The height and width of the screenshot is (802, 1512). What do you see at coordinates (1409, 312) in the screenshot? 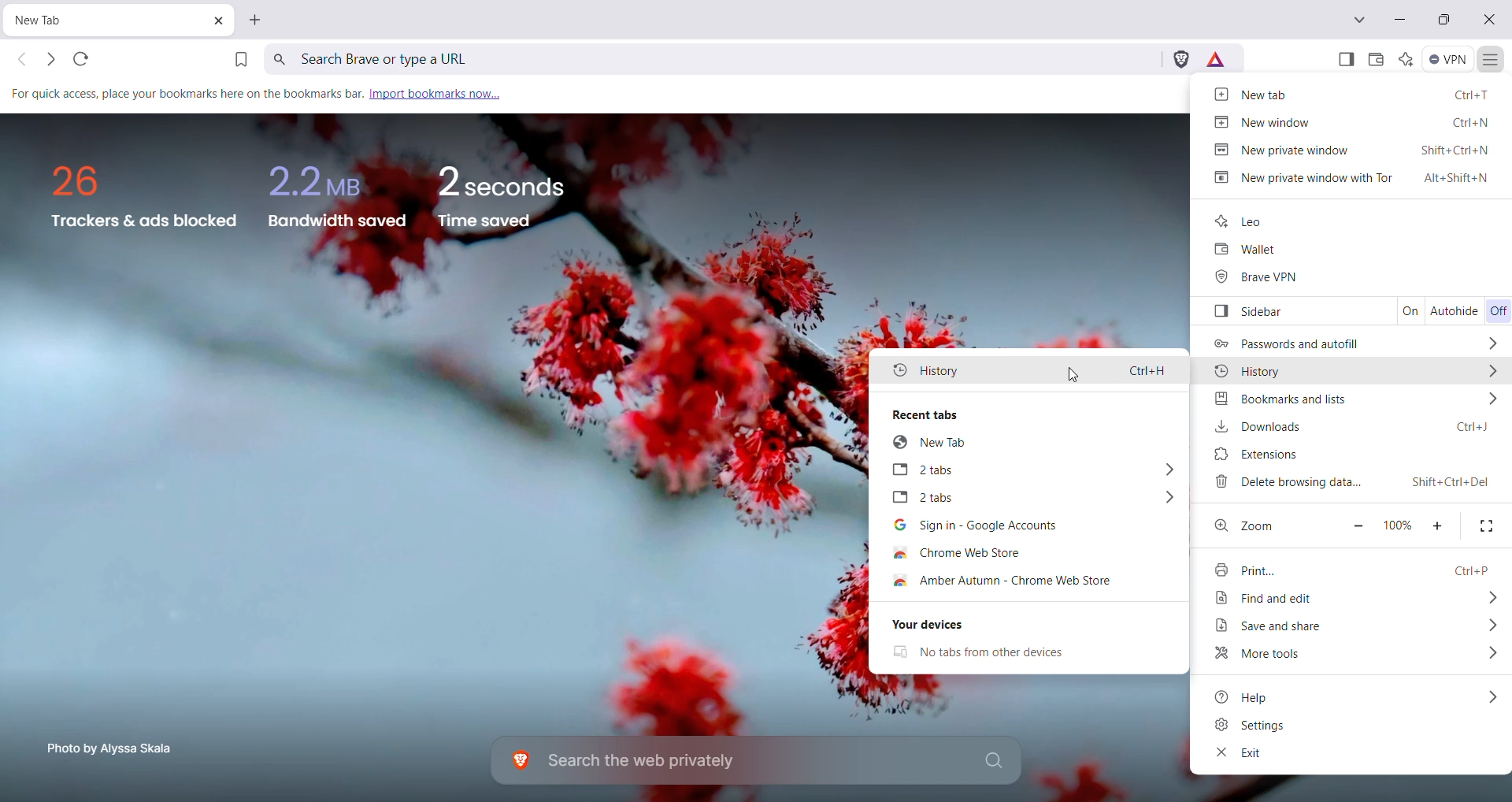
I see `Set On/Off` at bounding box center [1409, 312].